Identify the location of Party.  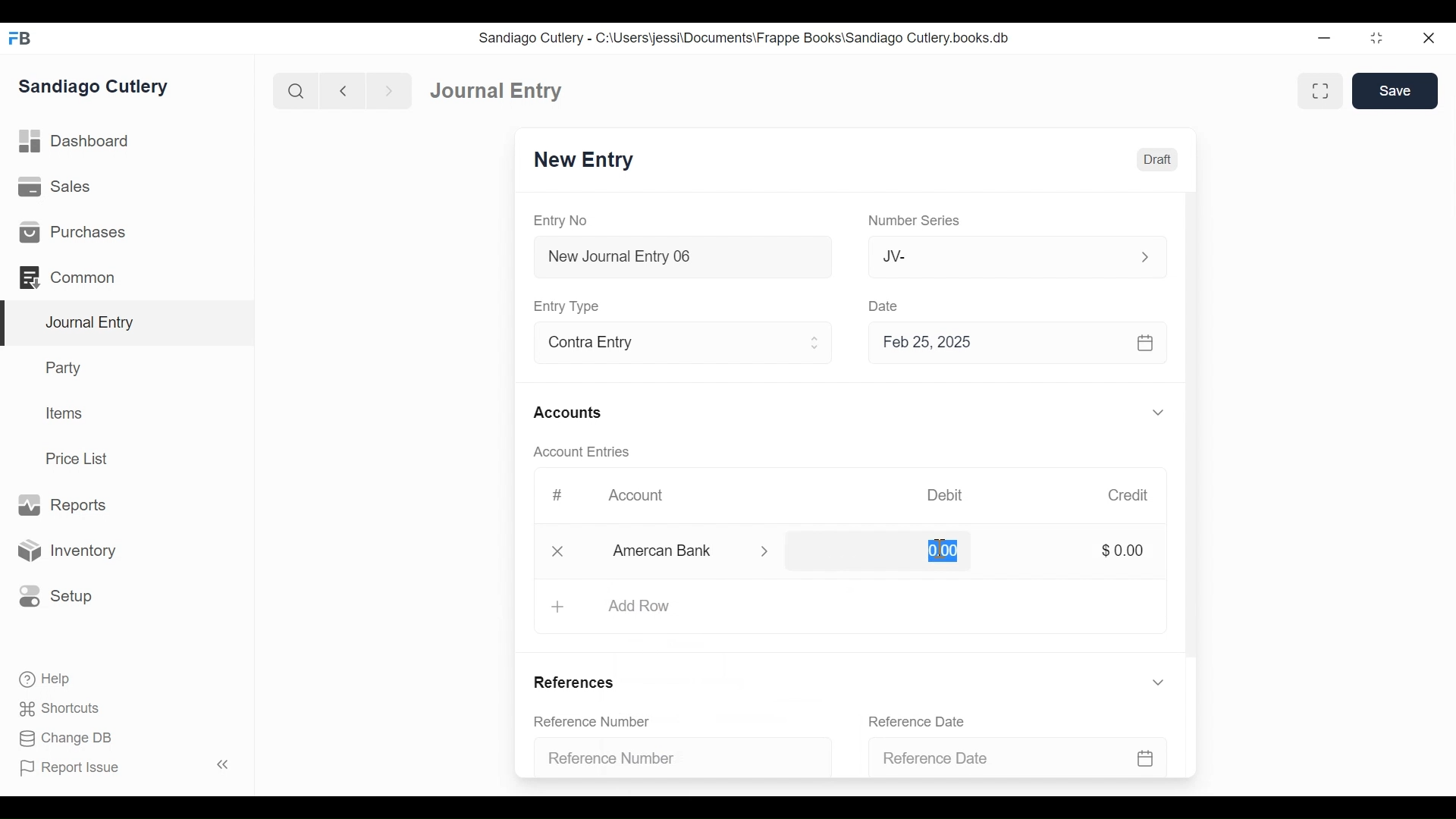
(67, 367).